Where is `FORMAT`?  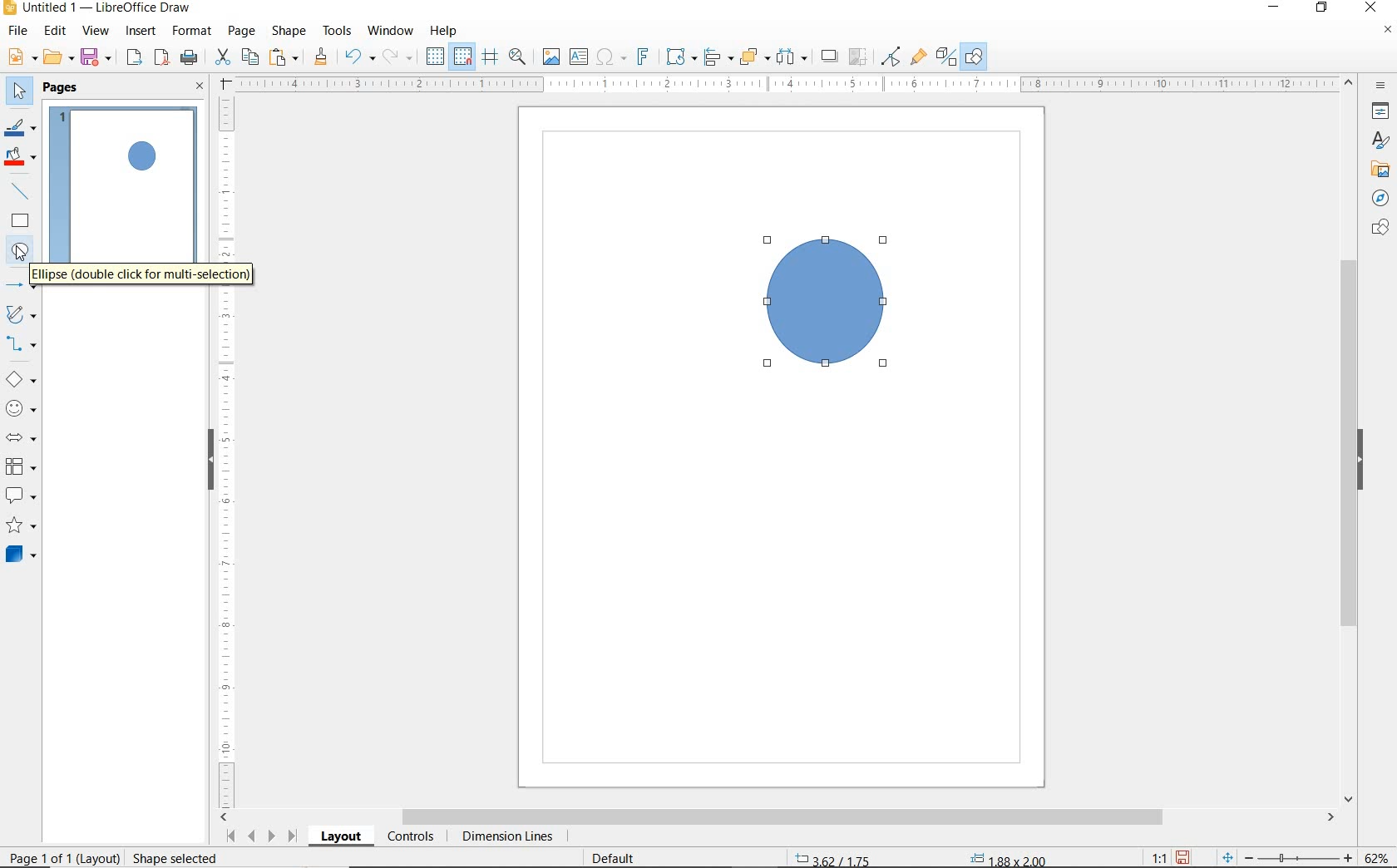
FORMAT is located at coordinates (193, 31).